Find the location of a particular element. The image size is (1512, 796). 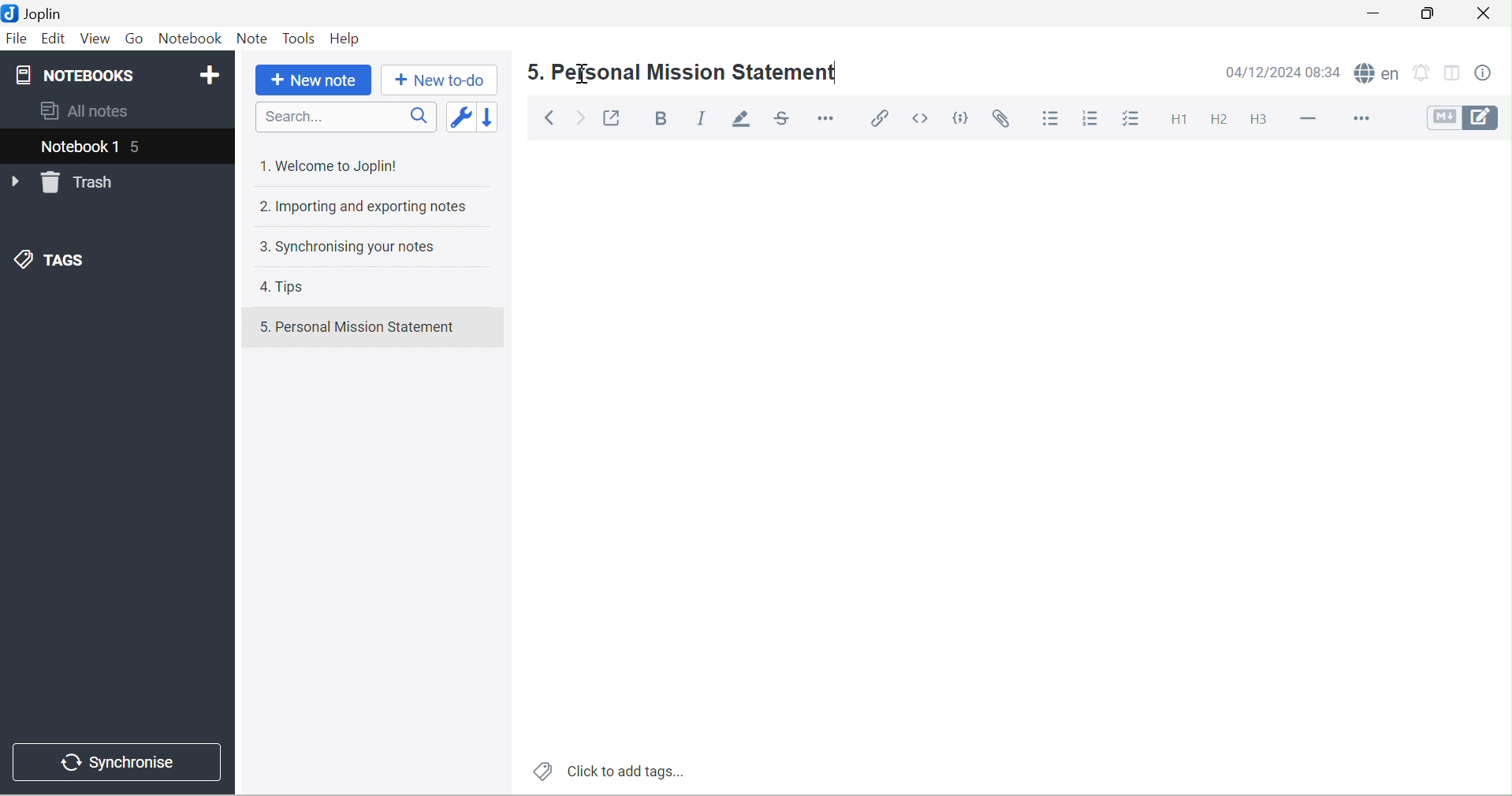

Numbered list is located at coordinates (1095, 120).